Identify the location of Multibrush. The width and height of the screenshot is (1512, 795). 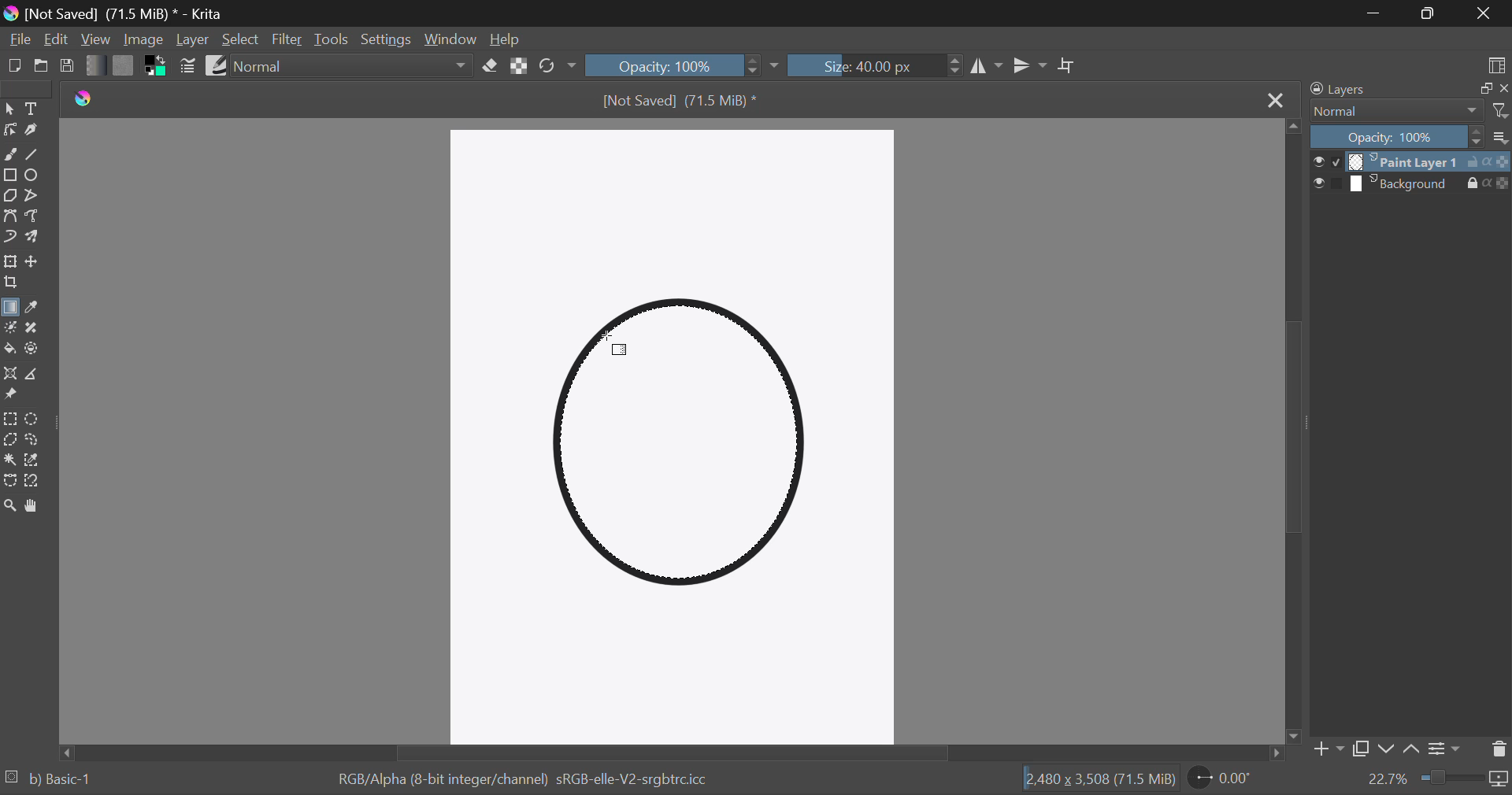
(34, 238).